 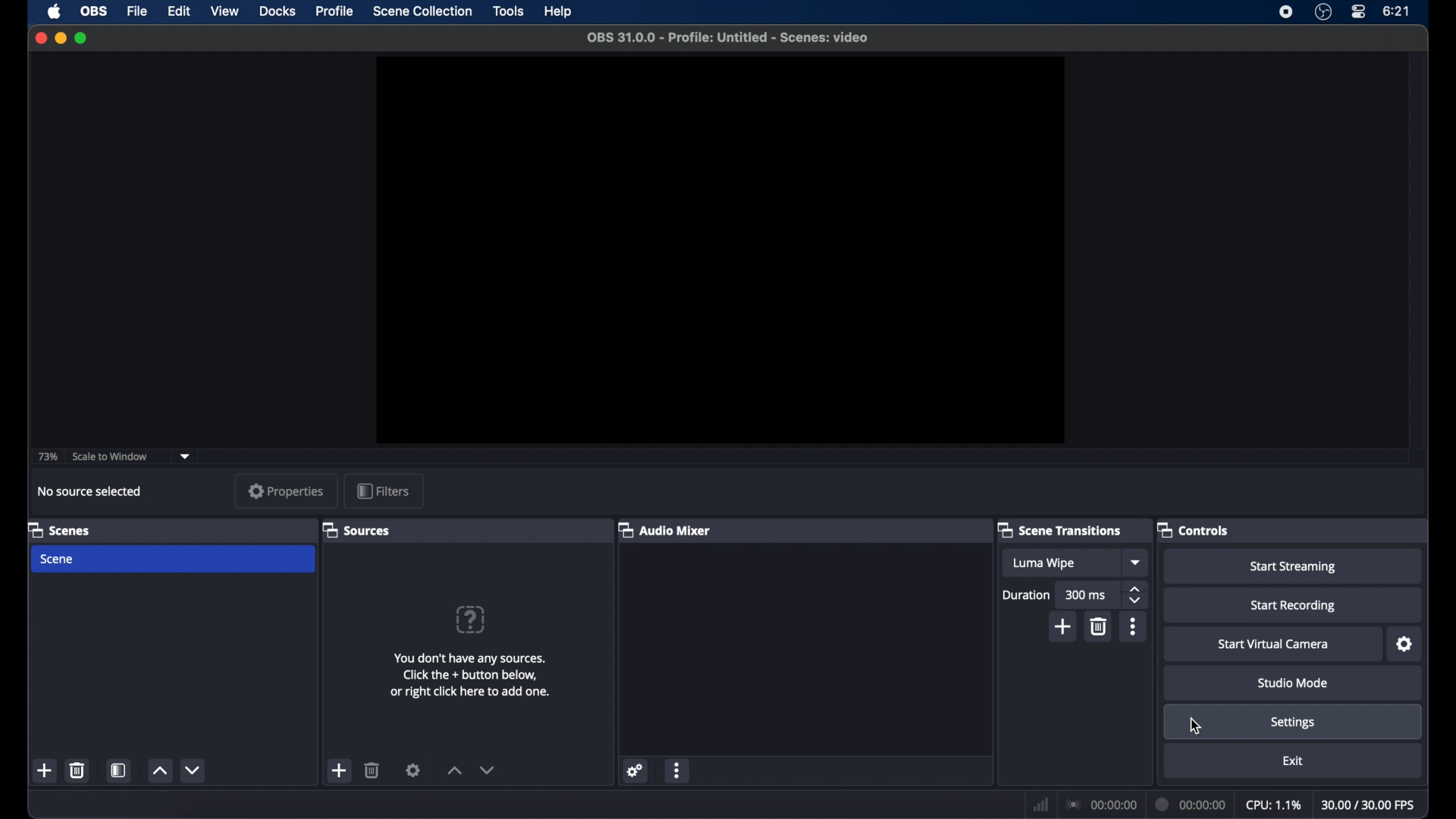 I want to click on view, so click(x=224, y=12).